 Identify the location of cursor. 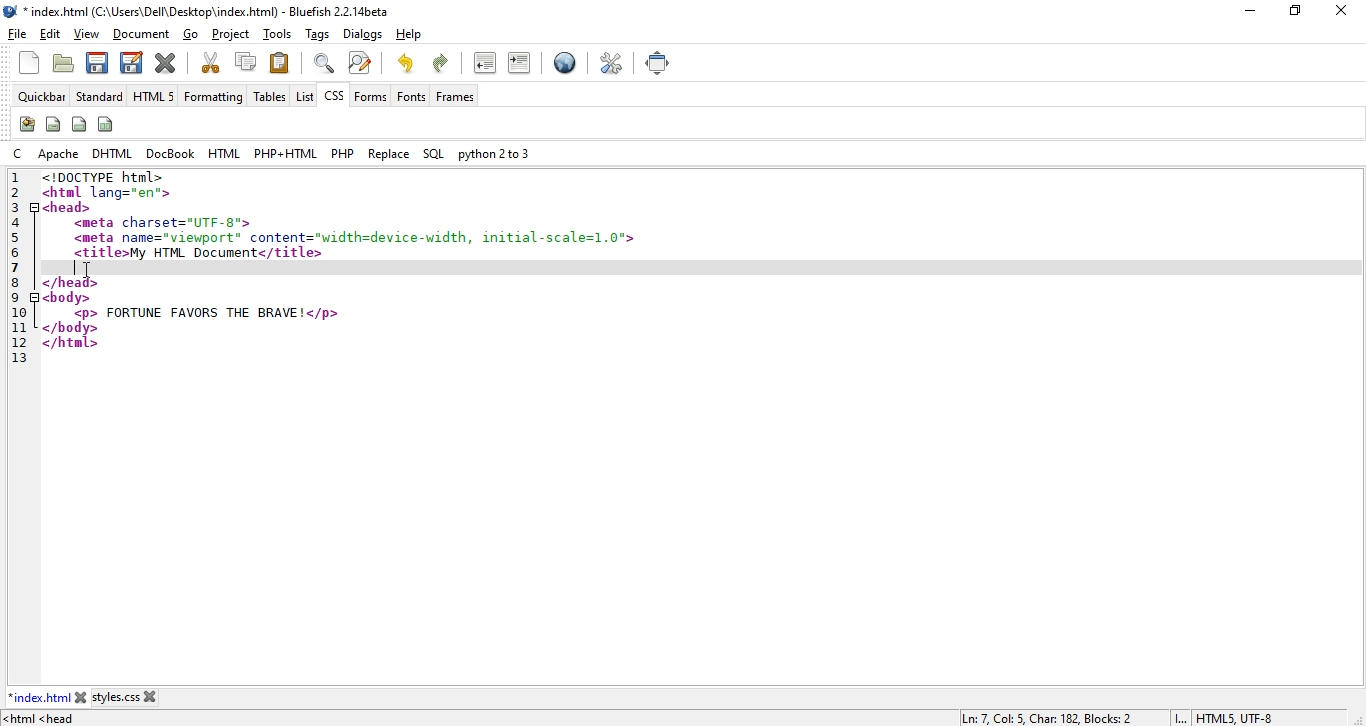
(89, 271).